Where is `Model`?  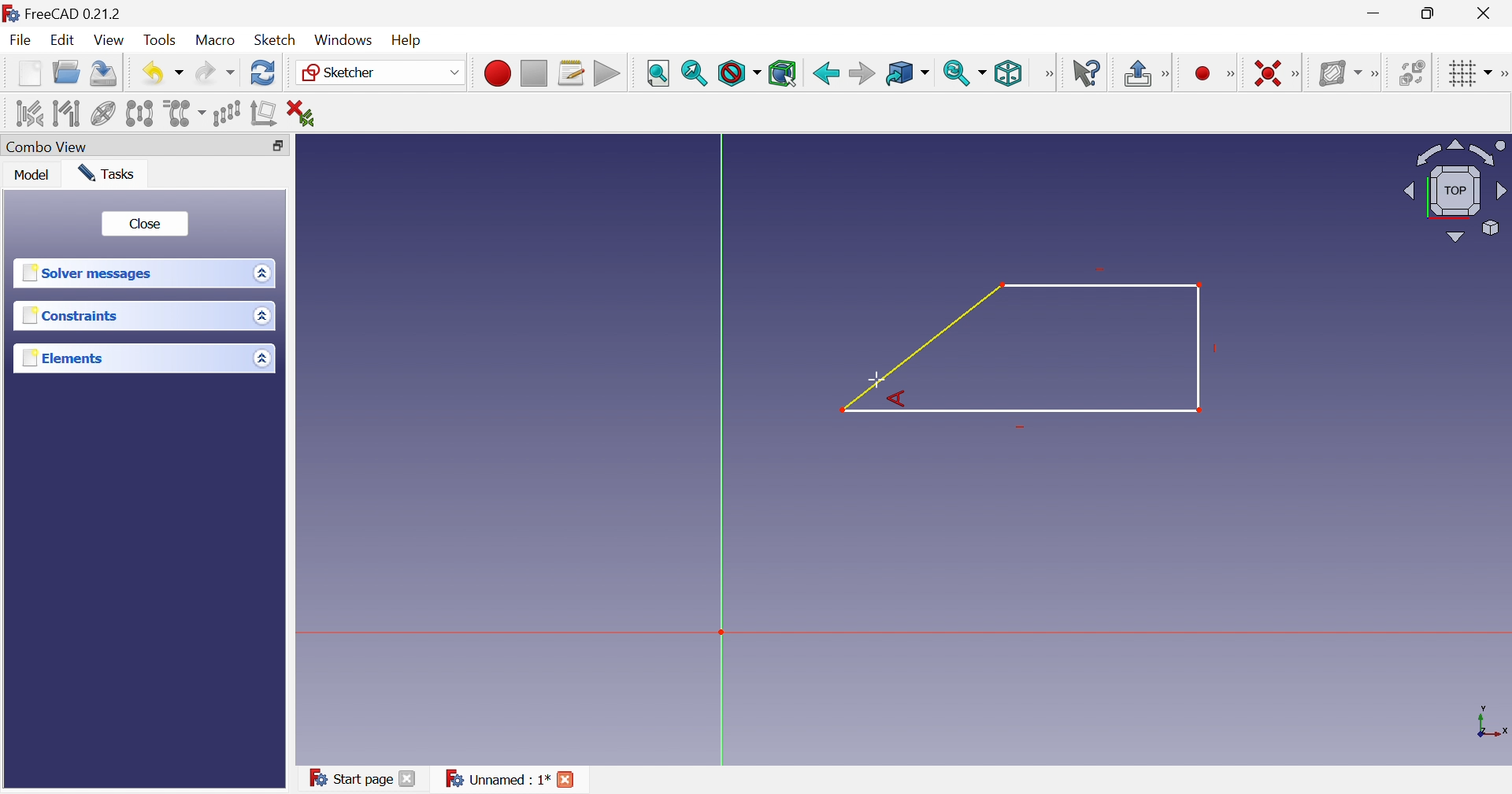
Model is located at coordinates (35, 176).